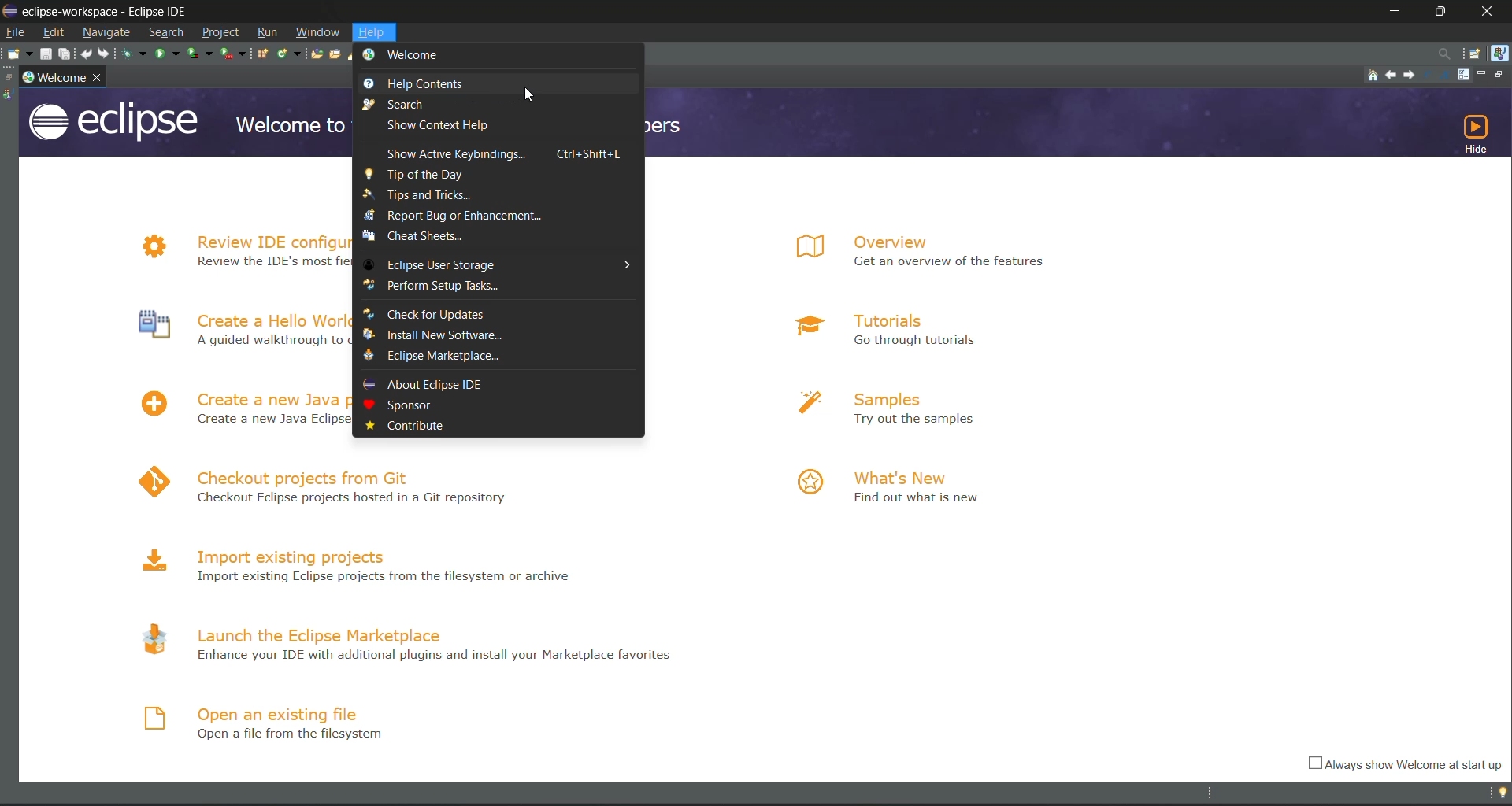 This screenshot has height=806, width=1512. What do you see at coordinates (1502, 76) in the screenshot?
I see `restore` at bounding box center [1502, 76].